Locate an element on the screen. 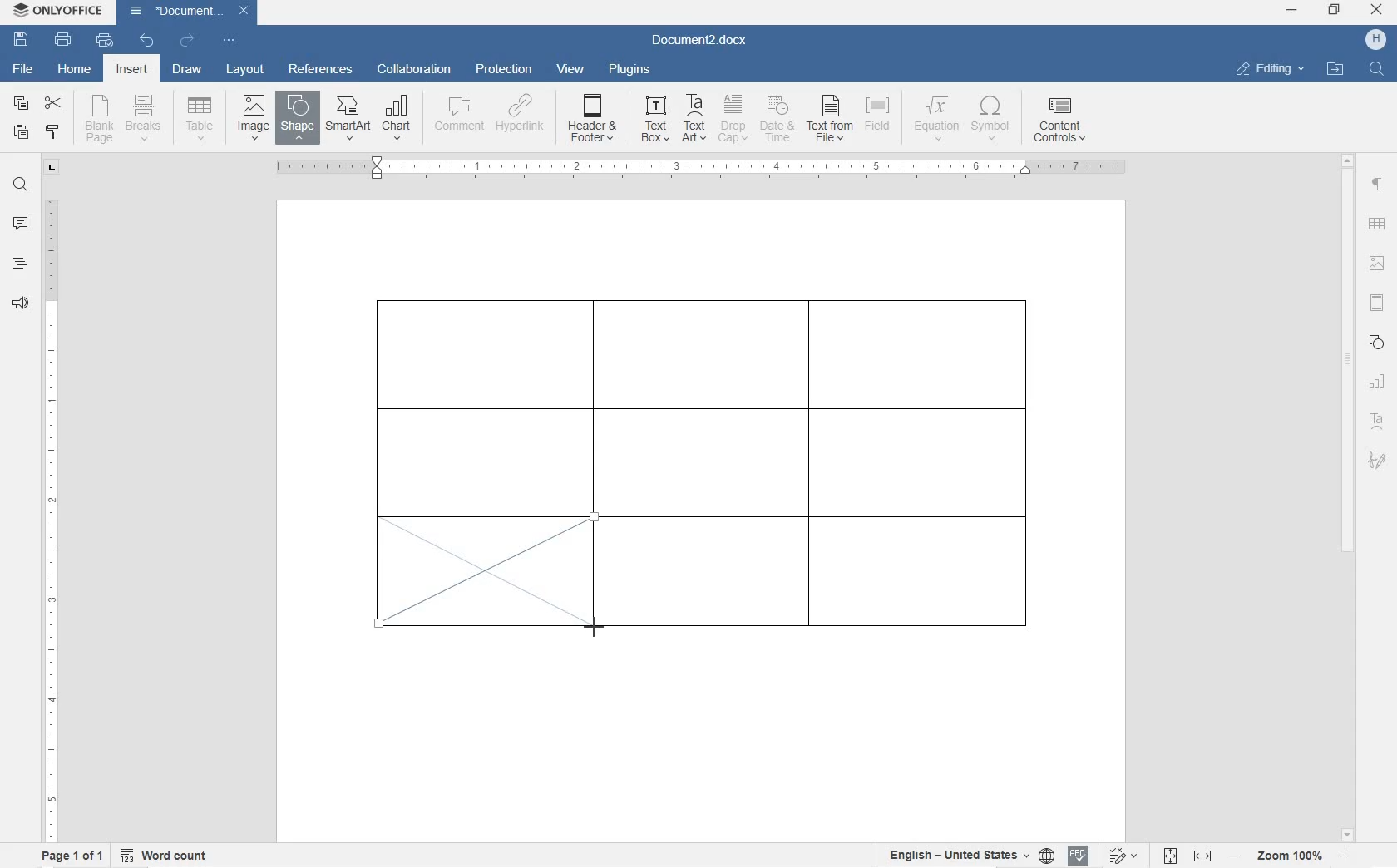  TEXT FROM FILE is located at coordinates (832, 121).